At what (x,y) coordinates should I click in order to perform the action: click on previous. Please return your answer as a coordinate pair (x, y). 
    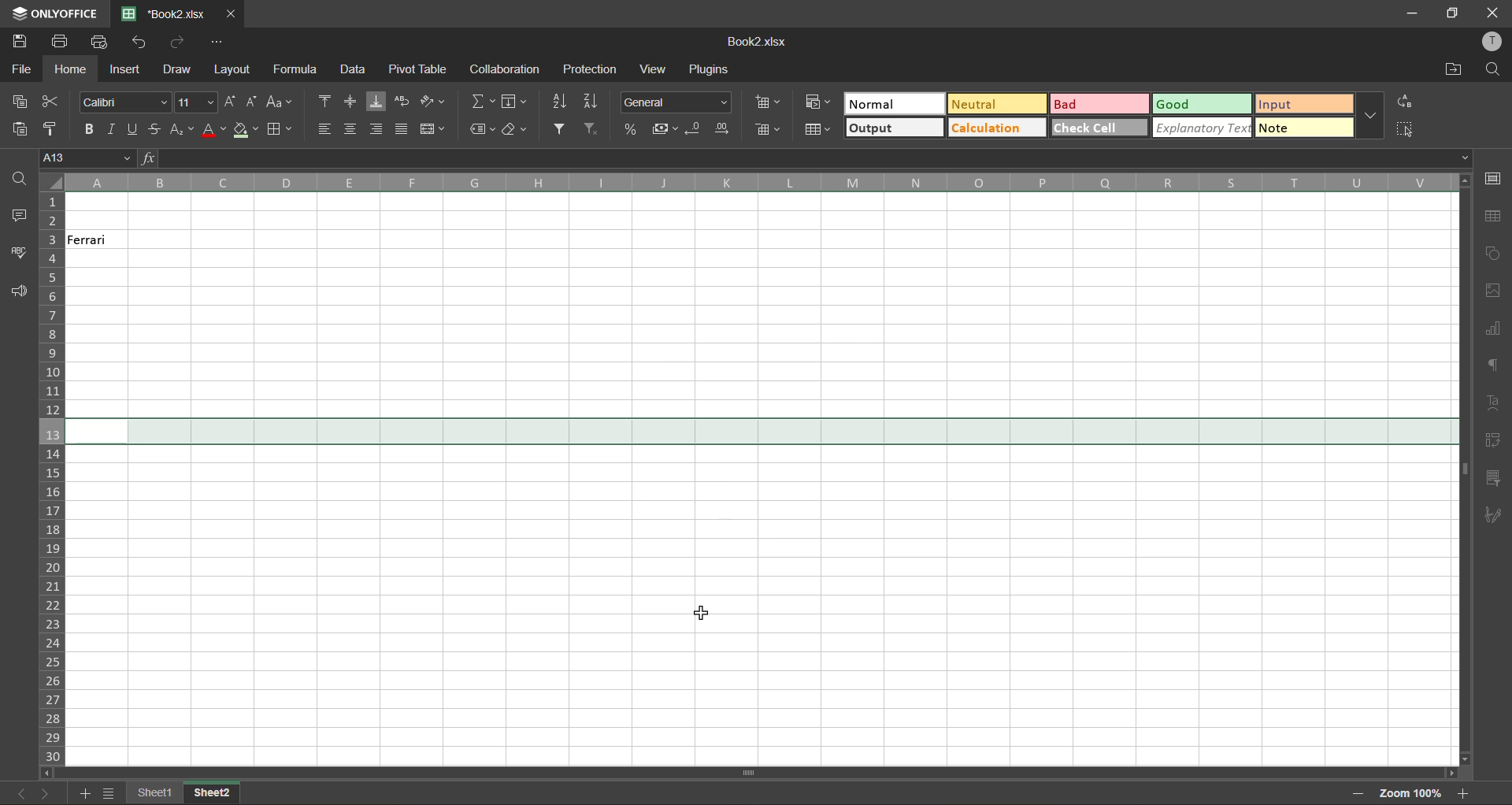
    Looking at the image, I should click on (16, 791).